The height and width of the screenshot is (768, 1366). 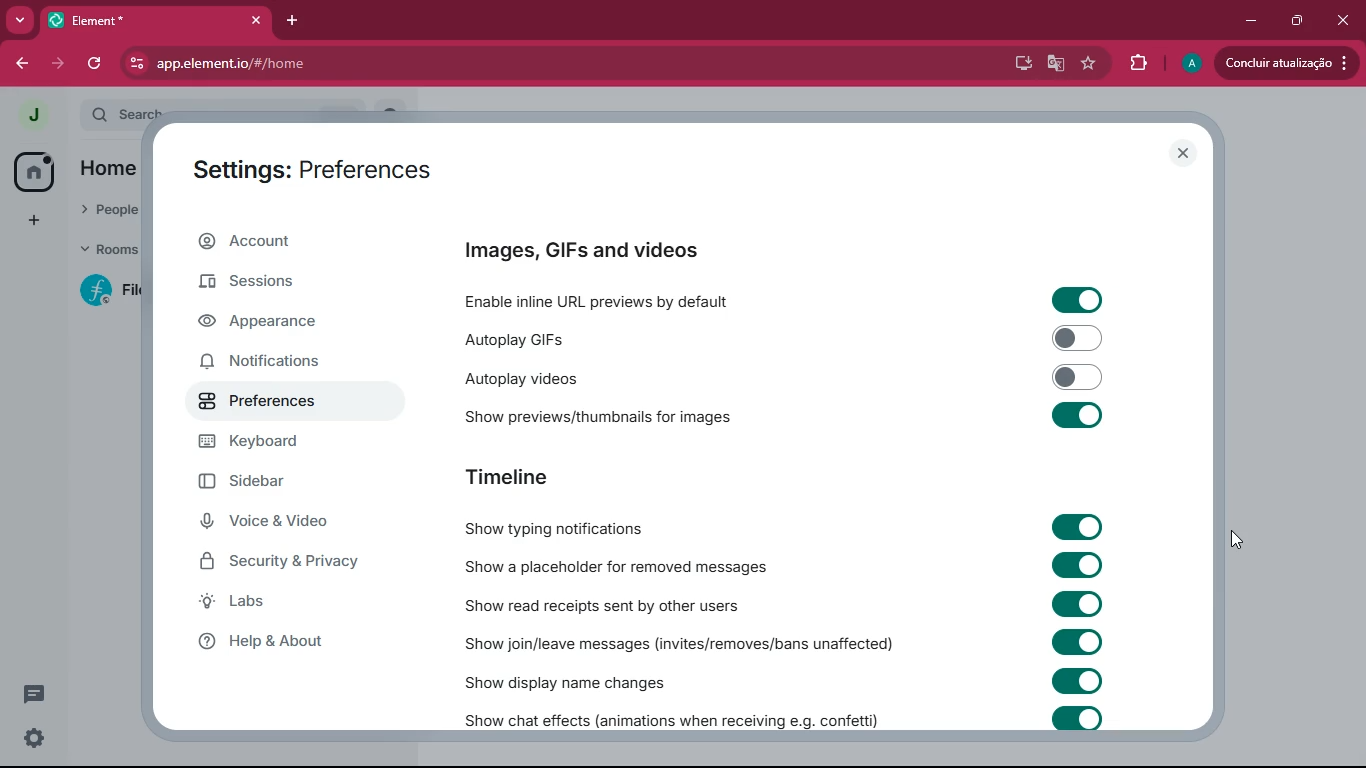 I want to click on show join / leave messages (invites/removes/bans unaffected), so click(x=676, y=643).